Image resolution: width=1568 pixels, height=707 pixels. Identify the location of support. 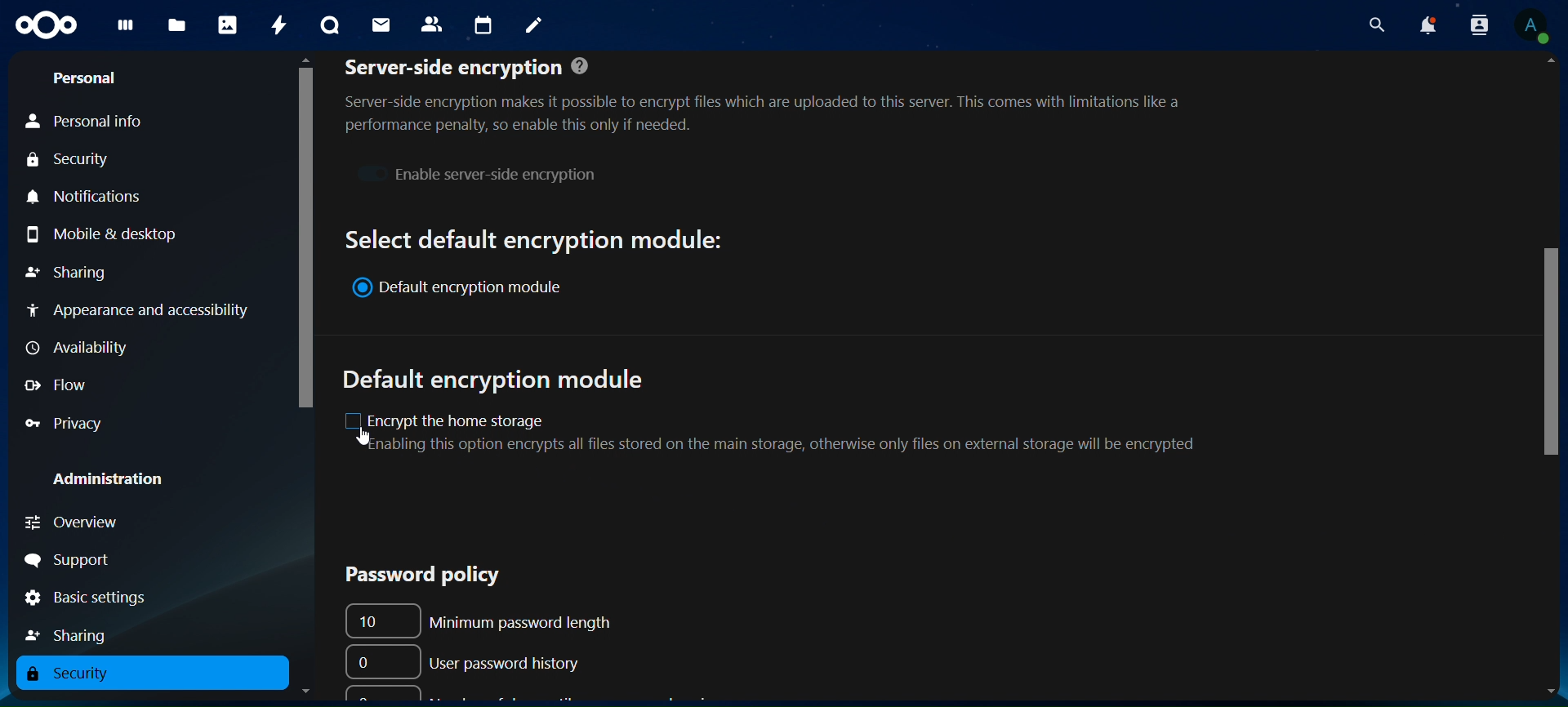
(82, 558).